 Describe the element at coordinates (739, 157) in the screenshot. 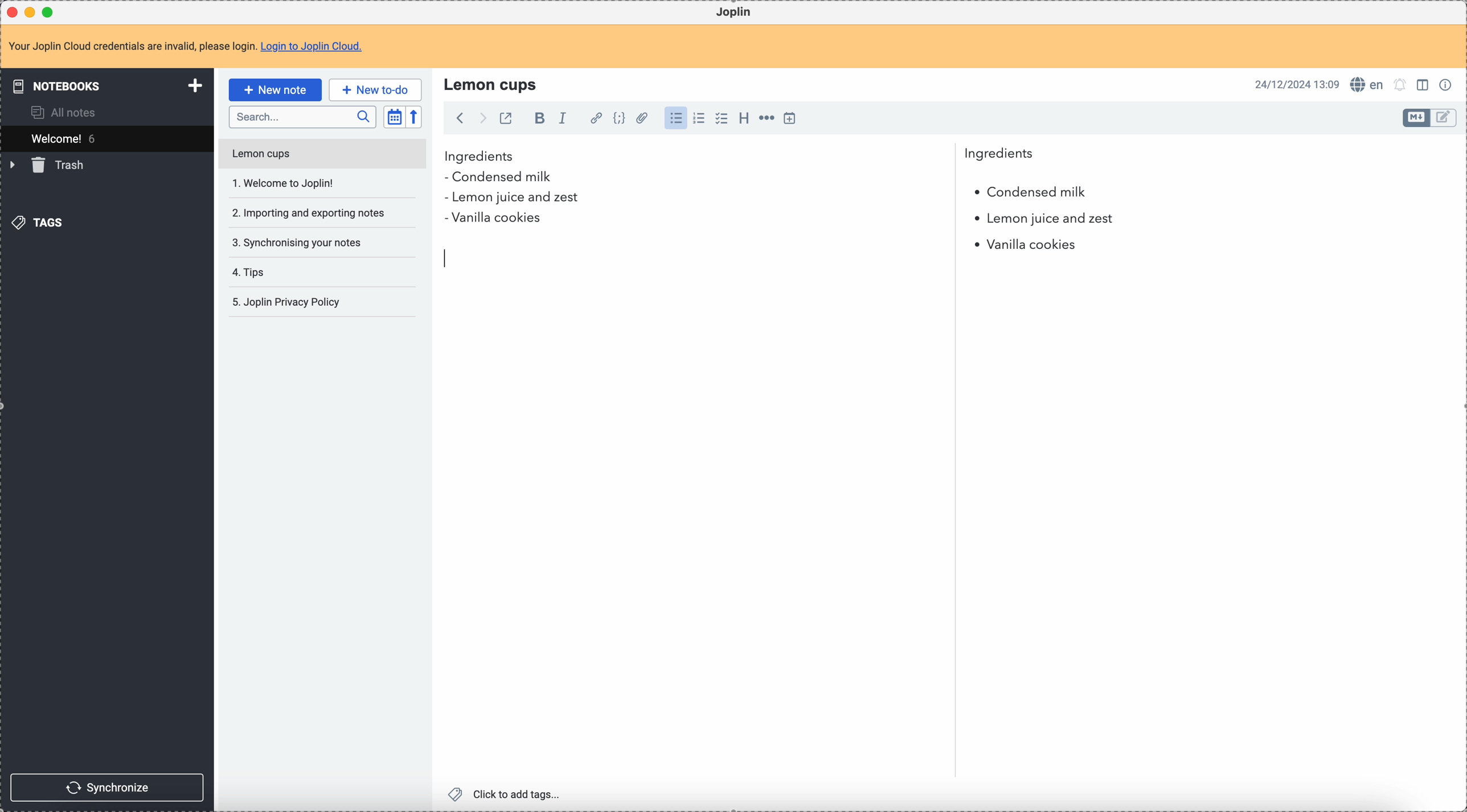

I see `ingredients` at that location.